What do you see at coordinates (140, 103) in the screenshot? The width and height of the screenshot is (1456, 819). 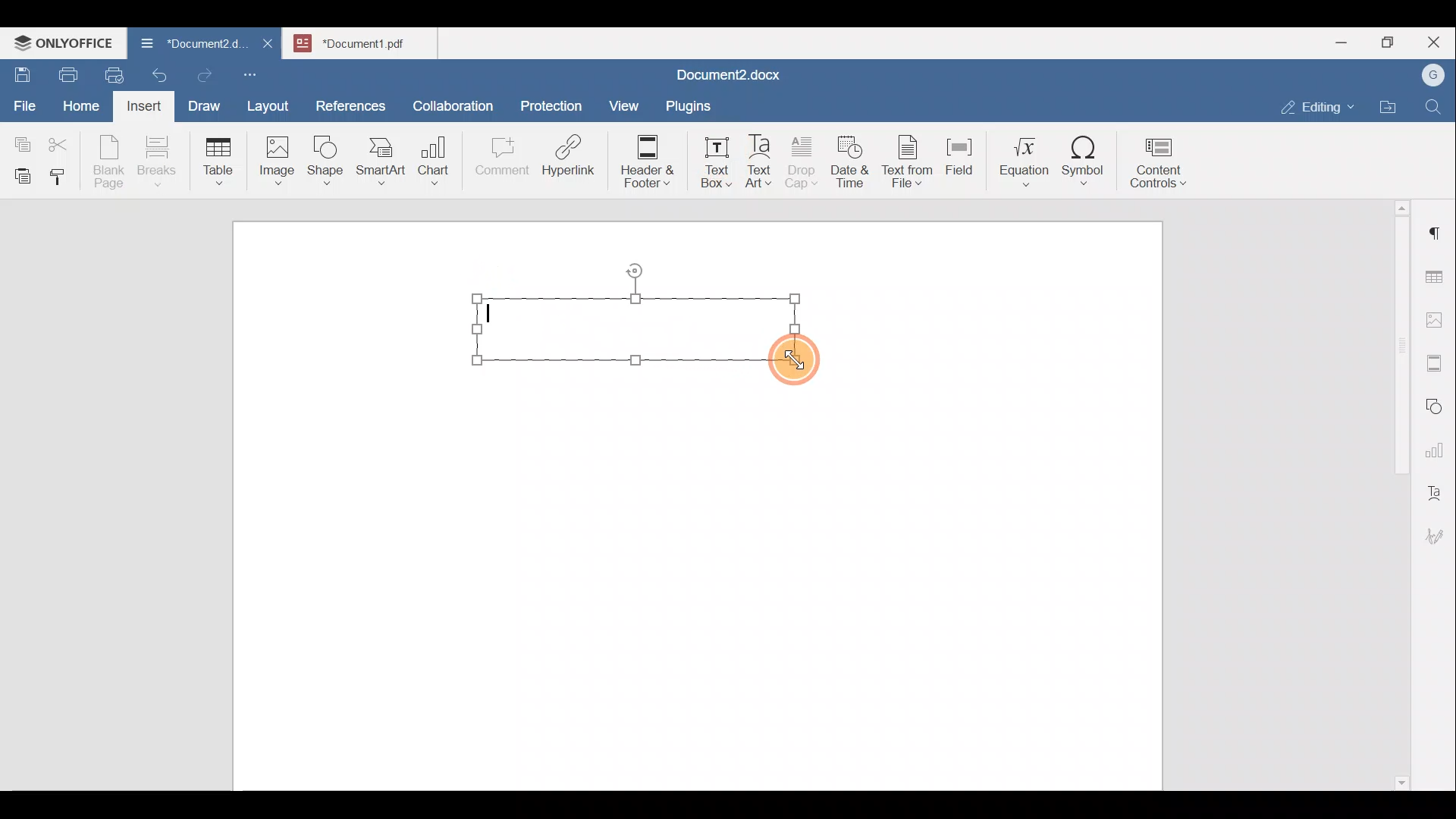 I see `Insert` at bounding box center [140, 103].